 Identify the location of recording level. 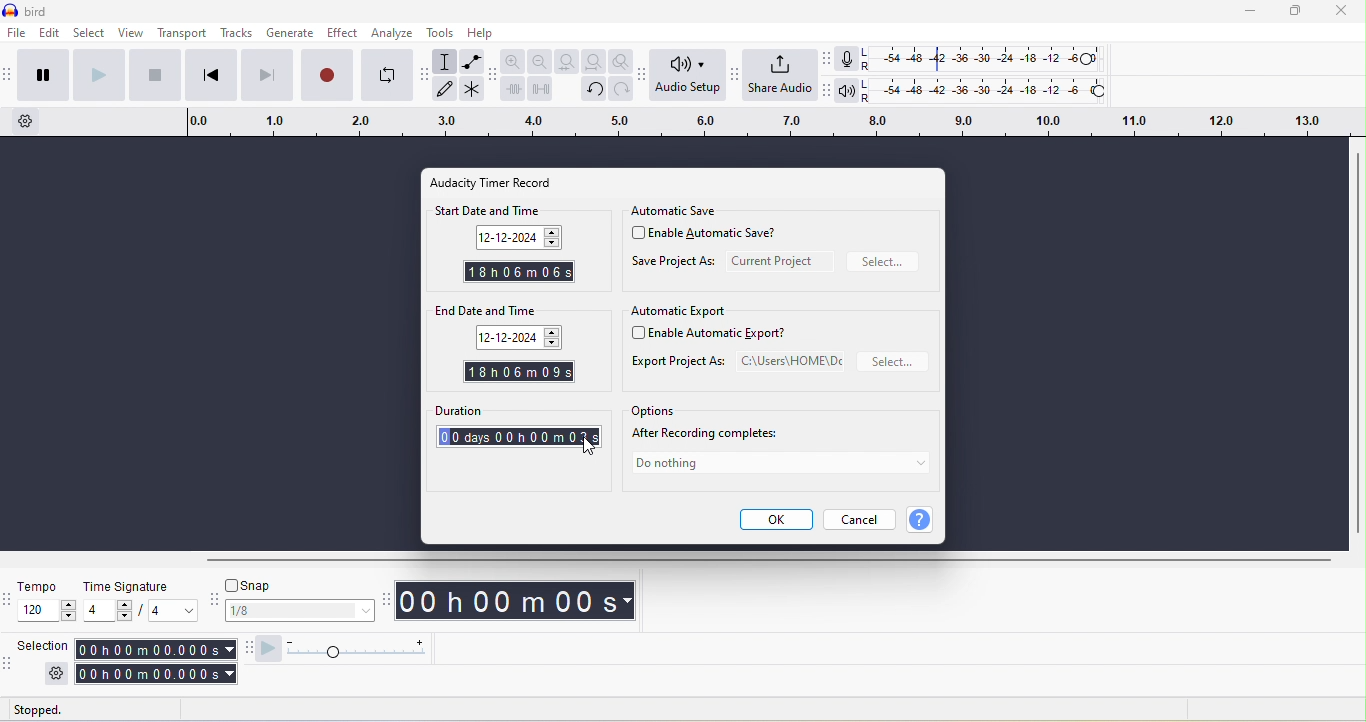
(991, 59).